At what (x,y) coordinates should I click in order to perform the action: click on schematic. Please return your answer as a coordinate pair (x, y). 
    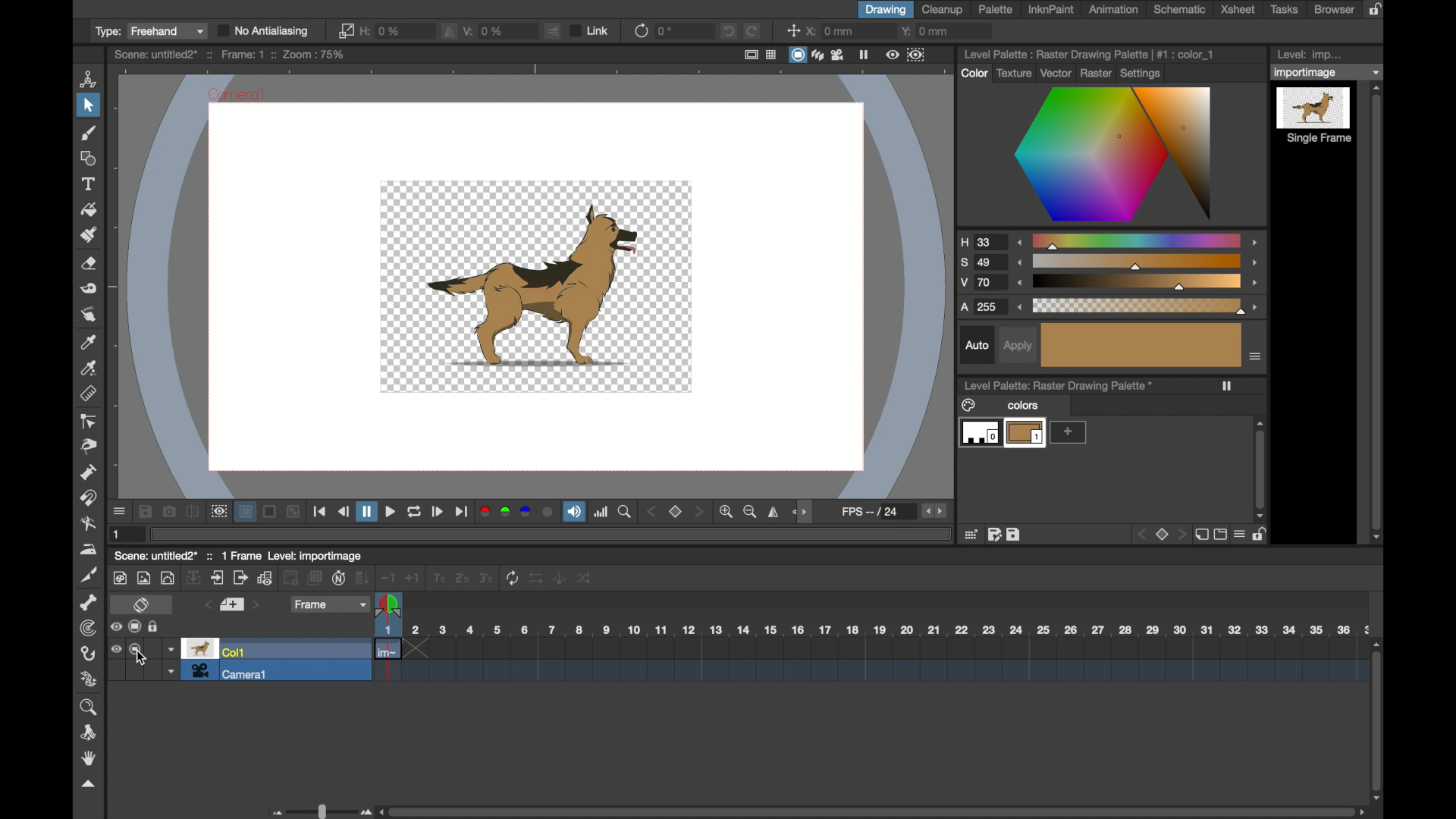
    Looking at the image, I should click on (1178, 9).